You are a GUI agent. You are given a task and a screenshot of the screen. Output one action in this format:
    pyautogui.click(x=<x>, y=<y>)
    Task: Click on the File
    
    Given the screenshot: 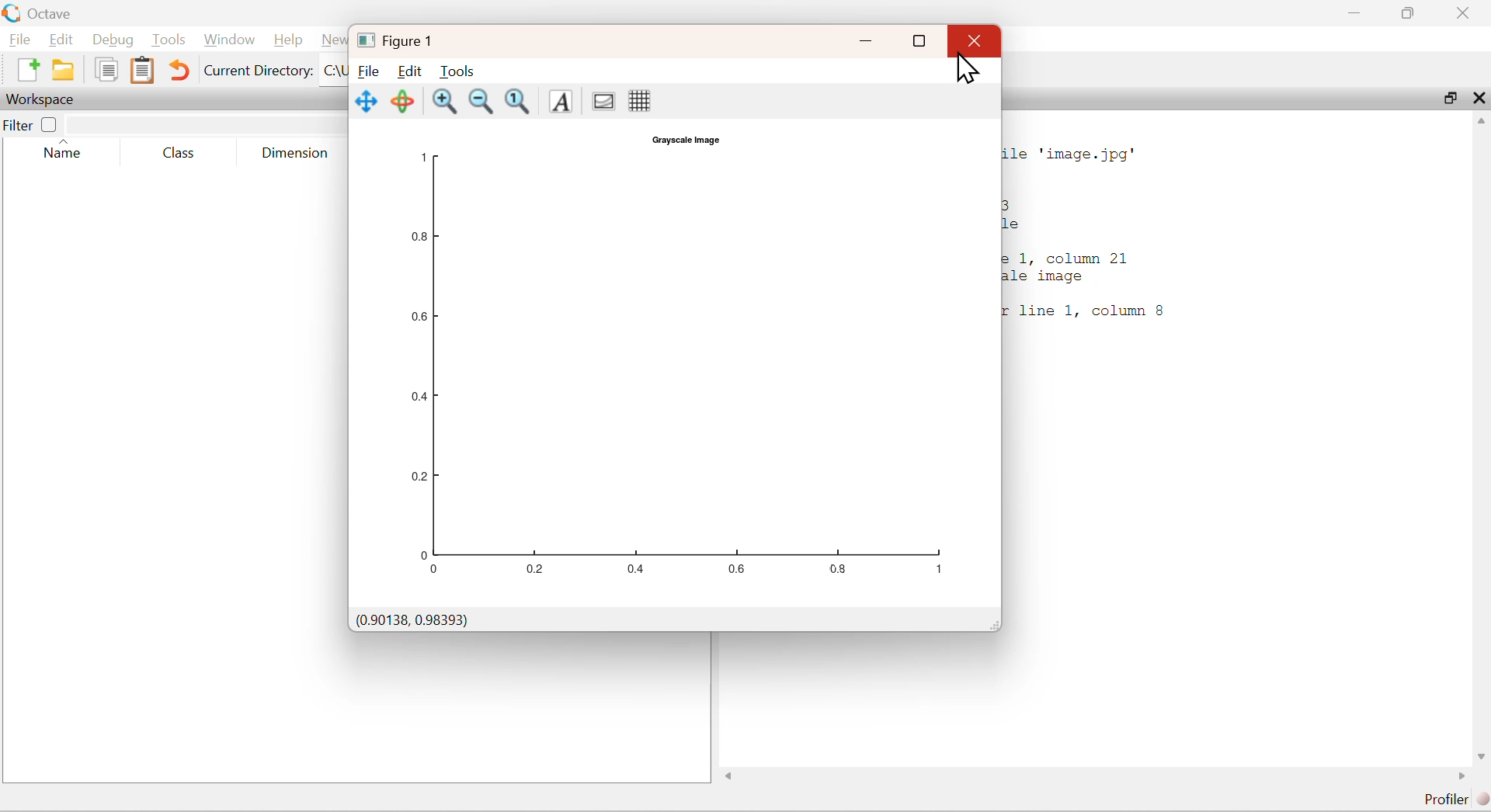 What is the action you would take?
    pyautogui.click(x=367, y=71)
    